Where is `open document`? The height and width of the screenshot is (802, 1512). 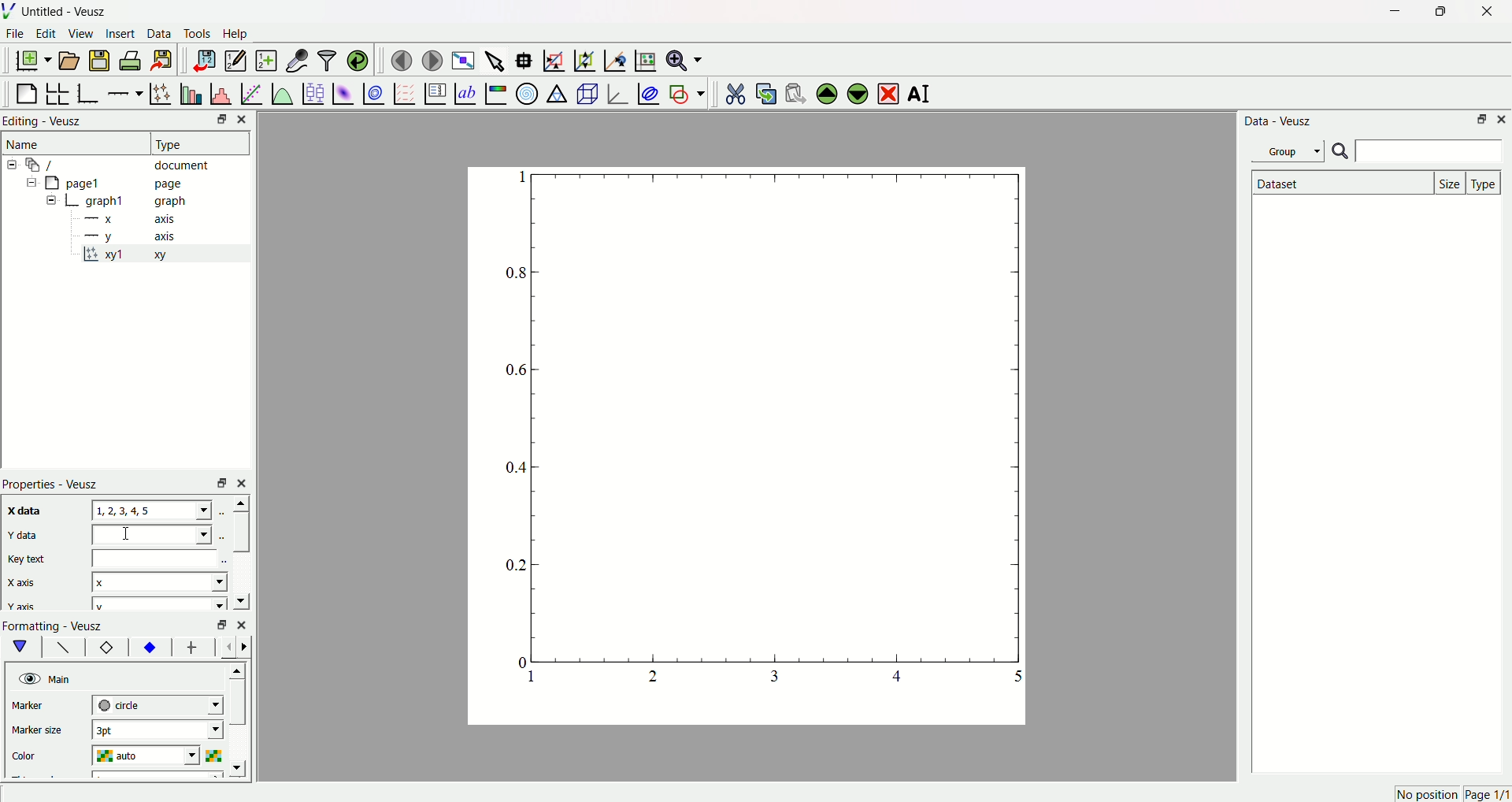 open document is located at coordinates (70, 60).